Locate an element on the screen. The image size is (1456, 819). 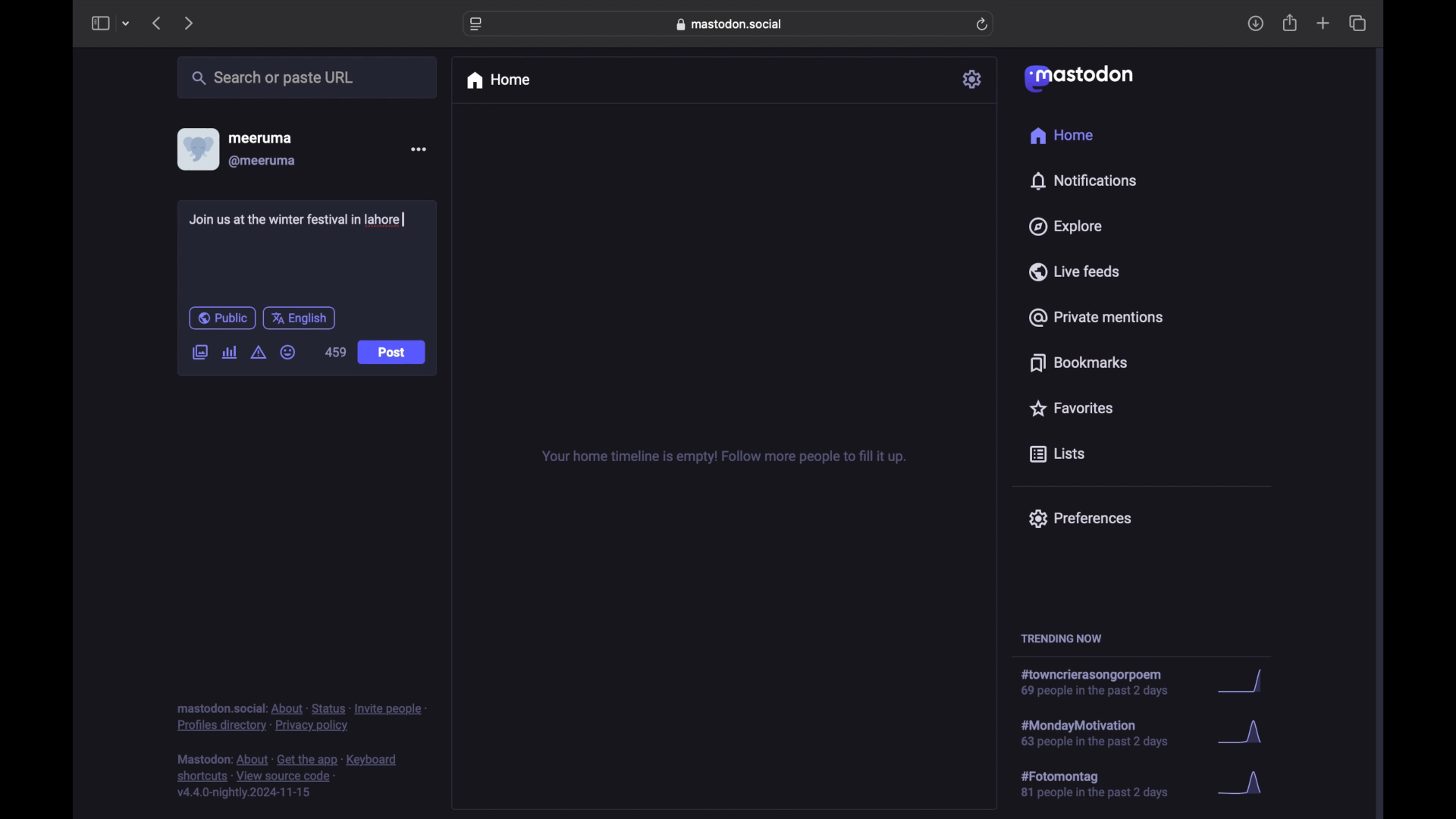
website settings is located at coordinates (478, 24).